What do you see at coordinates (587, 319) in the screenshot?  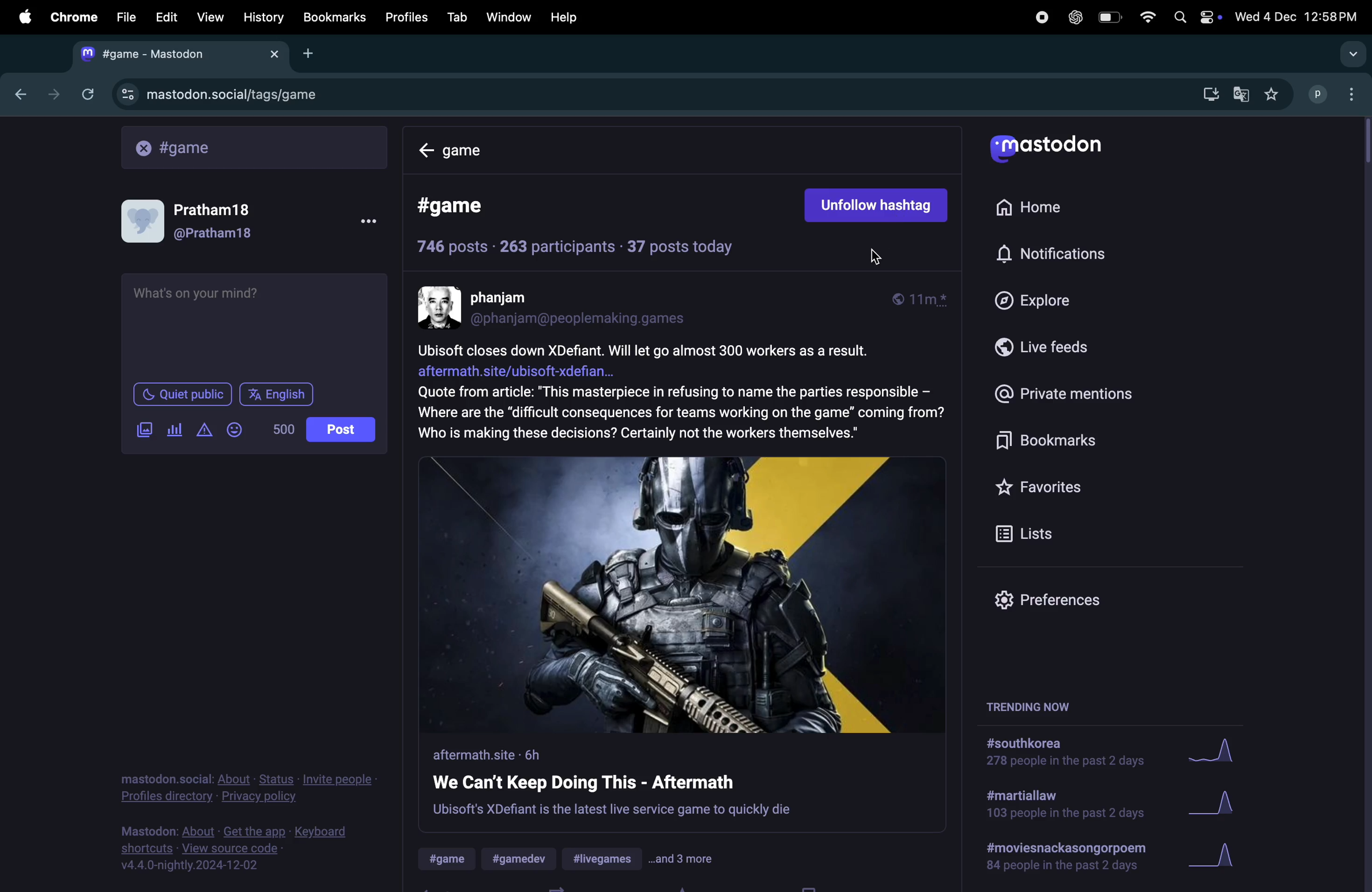 I see `userid` at bounding box center [587, 319].